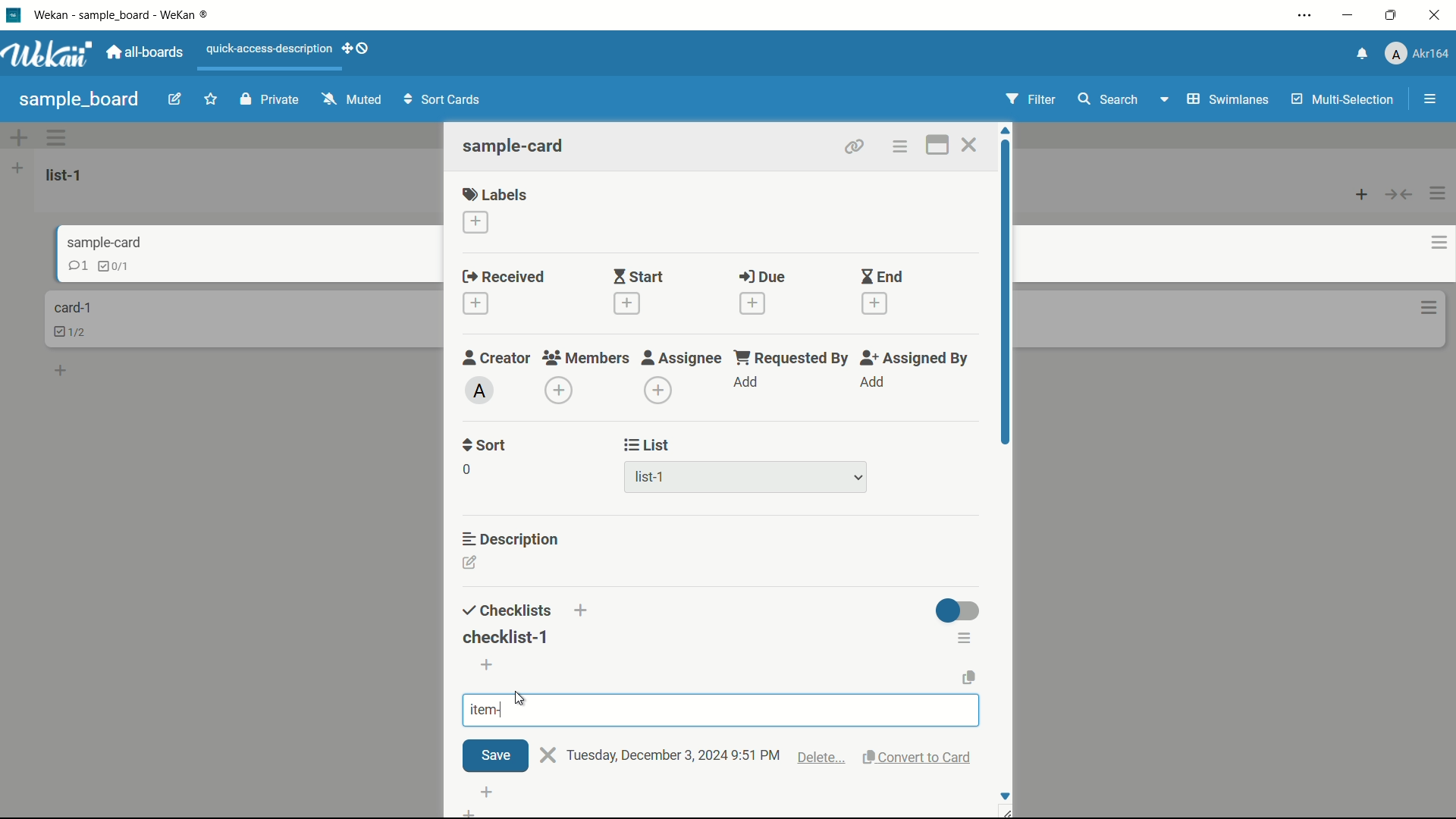 Image resolution: width=1456 pixels, height=819 pixels. I want to click on start, so click(640, 276).